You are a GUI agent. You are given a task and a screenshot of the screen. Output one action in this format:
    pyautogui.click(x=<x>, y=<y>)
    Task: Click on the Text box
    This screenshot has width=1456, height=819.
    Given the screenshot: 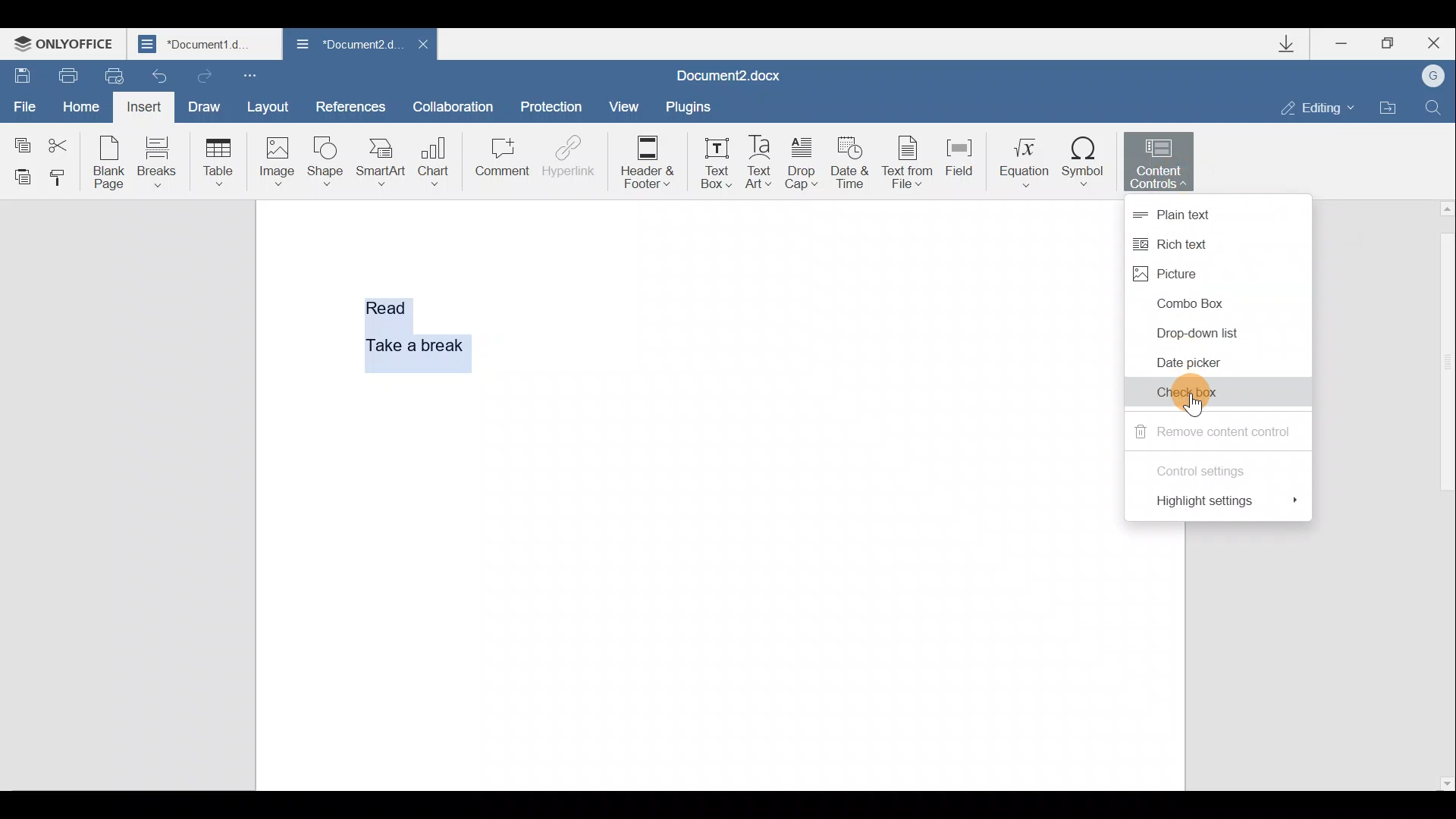 What is the action you would take?
    pyautogui.click(x=716, y=162)
    